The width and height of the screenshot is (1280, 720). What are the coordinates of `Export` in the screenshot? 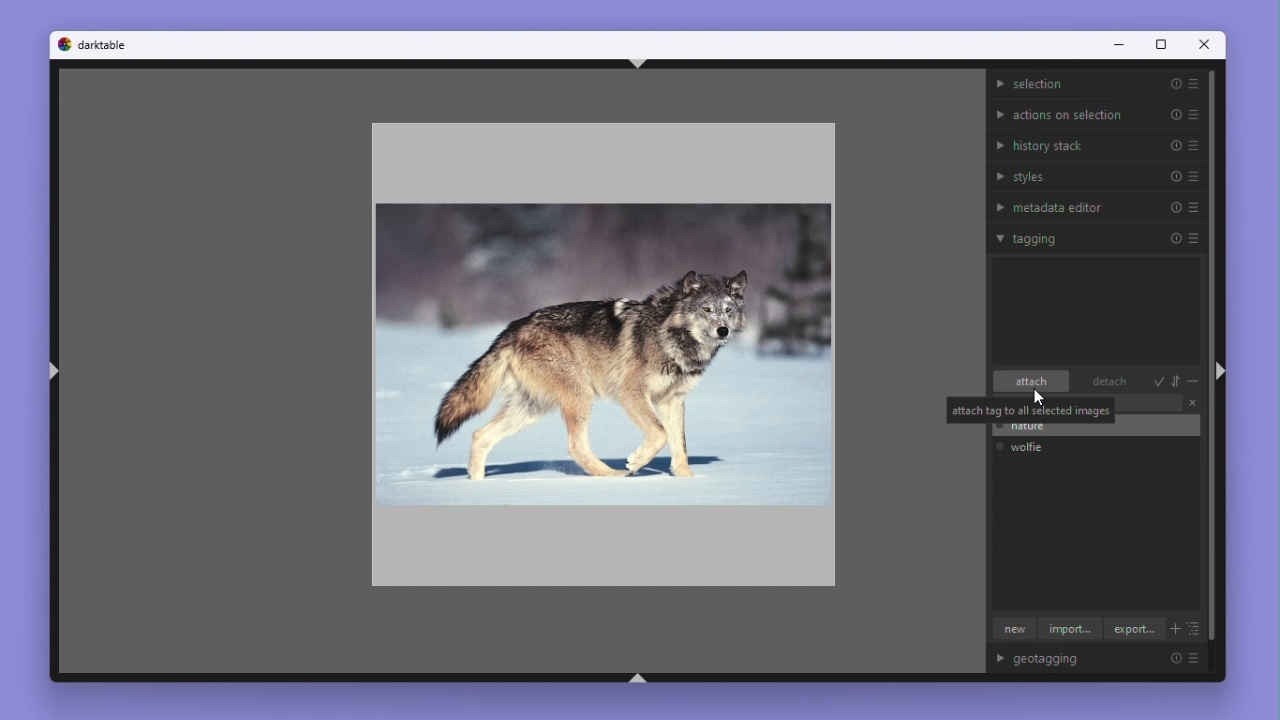 It's located at (1135, 629).